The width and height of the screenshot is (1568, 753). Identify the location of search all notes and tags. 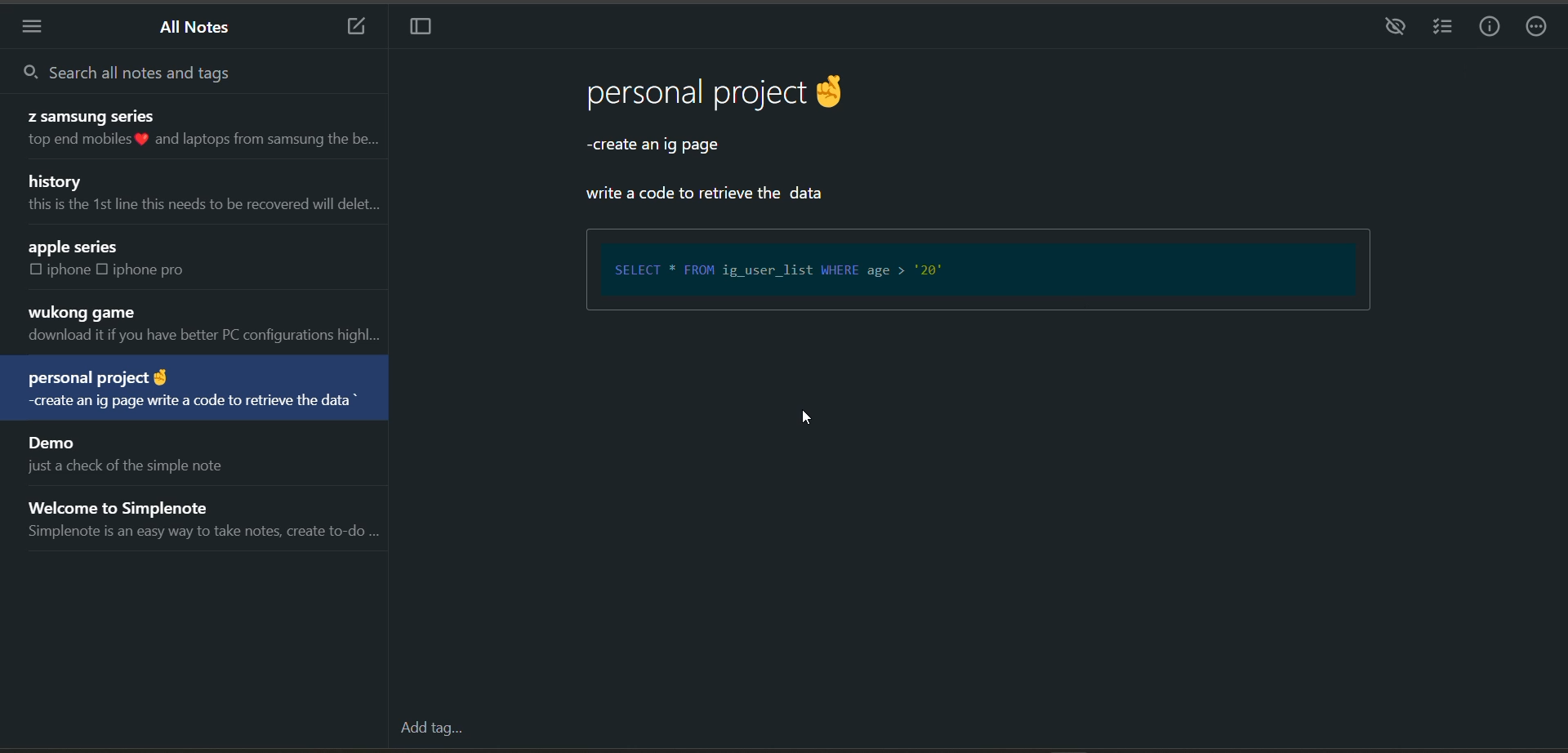
(171, 70).